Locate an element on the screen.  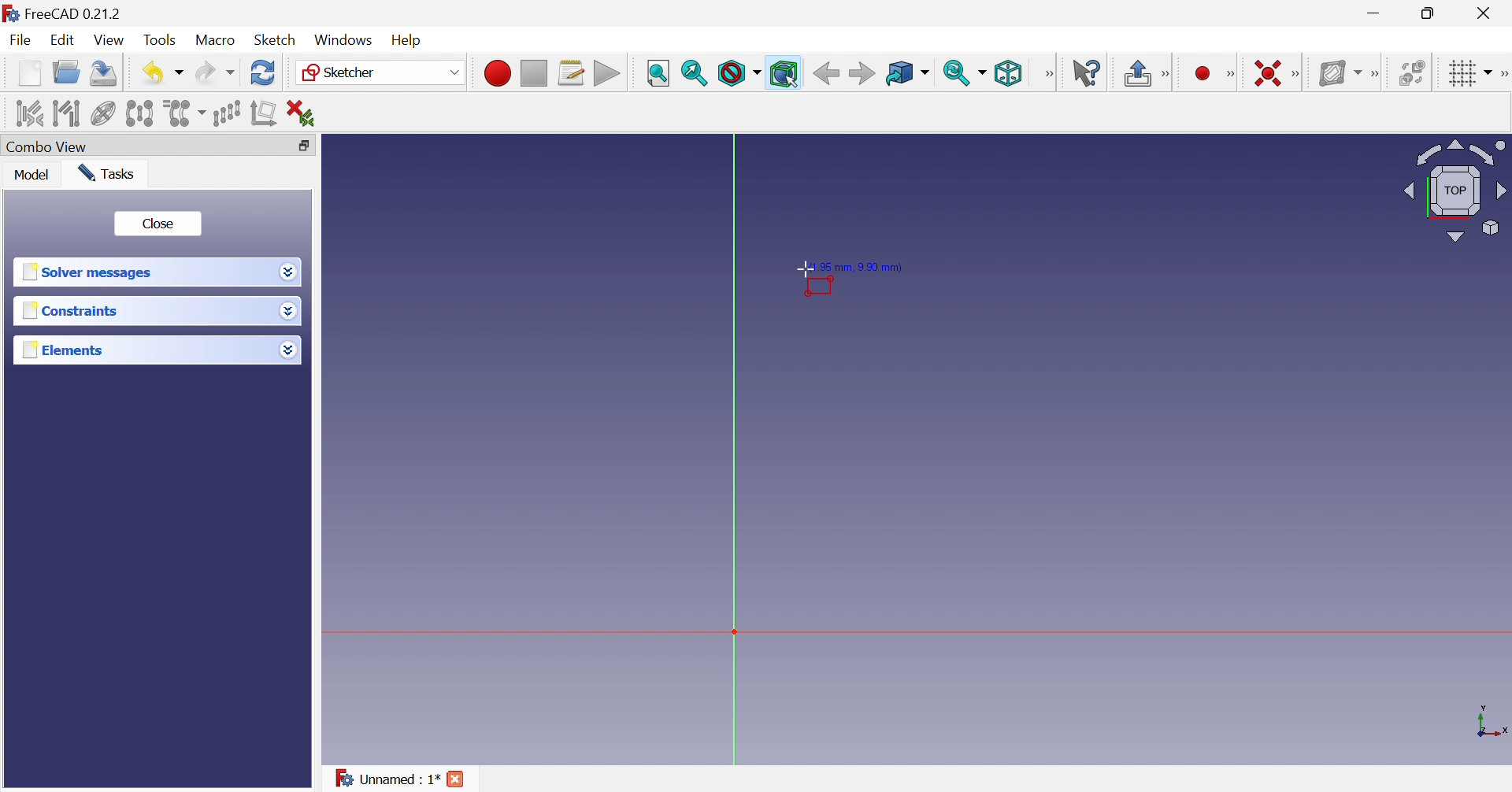
Tasks is located at coordinates (106, 172).